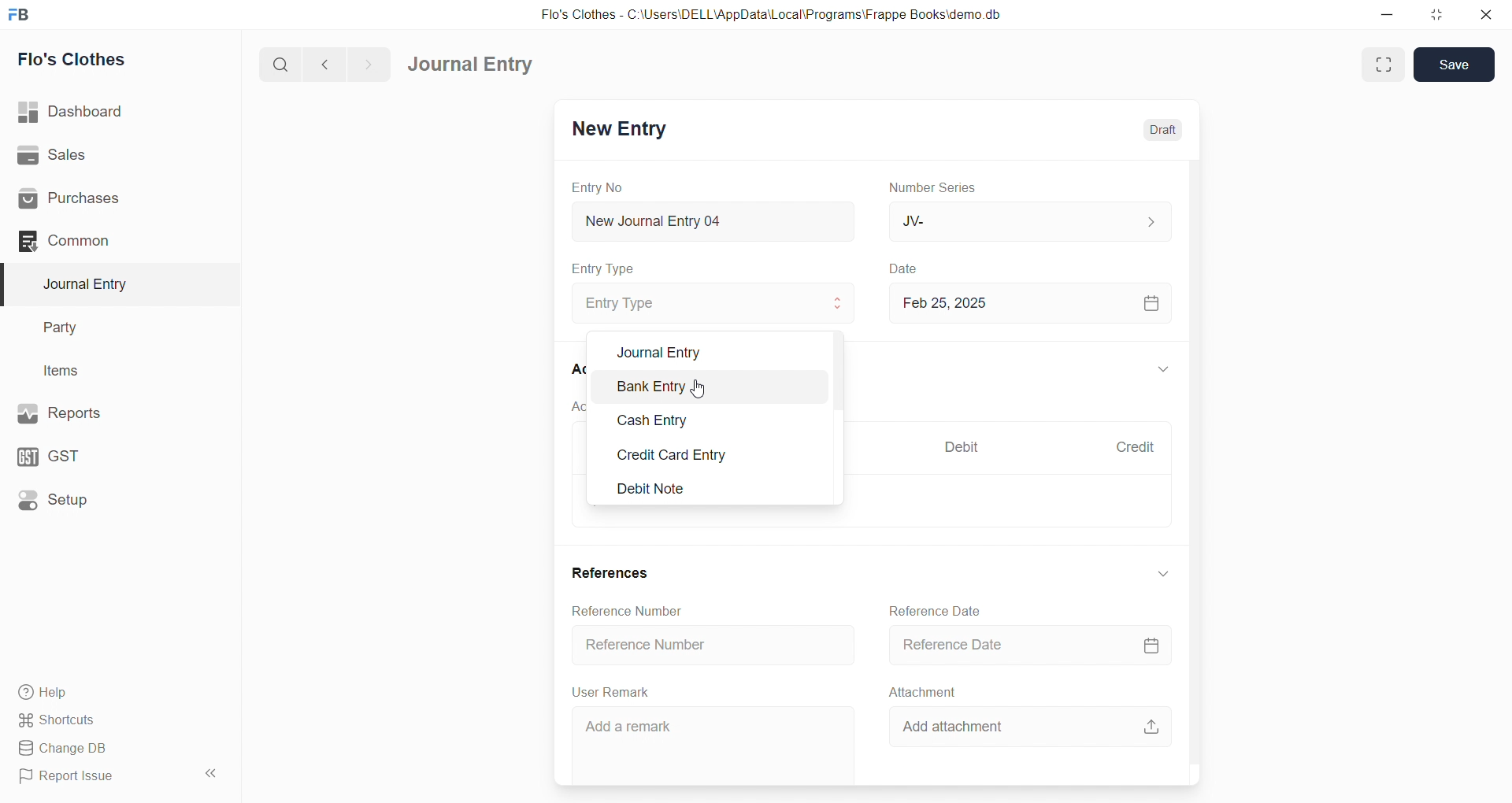 The height and width of the screenshot is (803, 1512). Describe the element at coordinates (1027, 220) in the screenshot. I see `JV-` at that location.